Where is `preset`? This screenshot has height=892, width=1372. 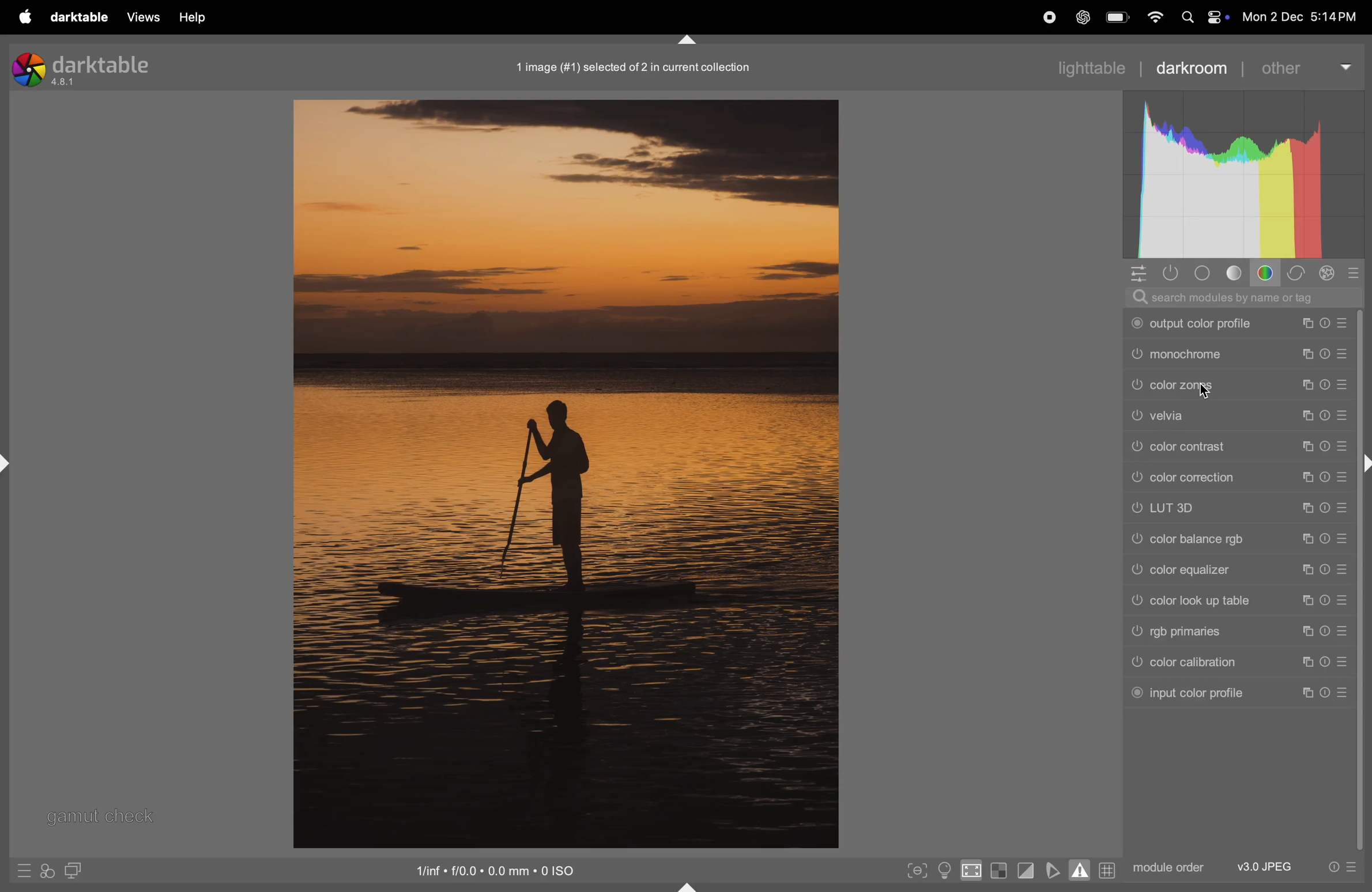 preset is located at coordinates (1305, 445).